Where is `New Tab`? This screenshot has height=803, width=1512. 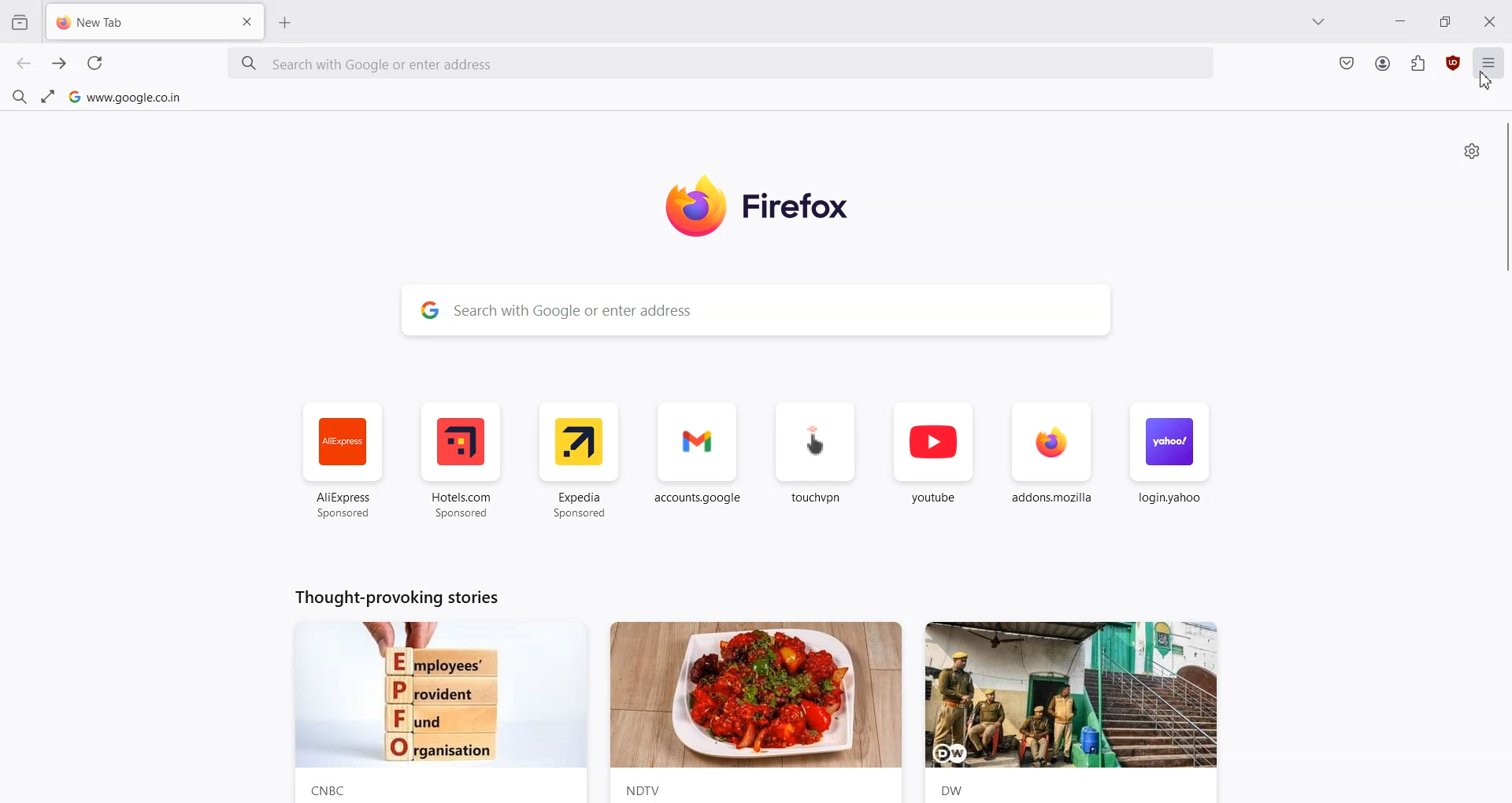
New Tab is located at coordinates (128, 24).